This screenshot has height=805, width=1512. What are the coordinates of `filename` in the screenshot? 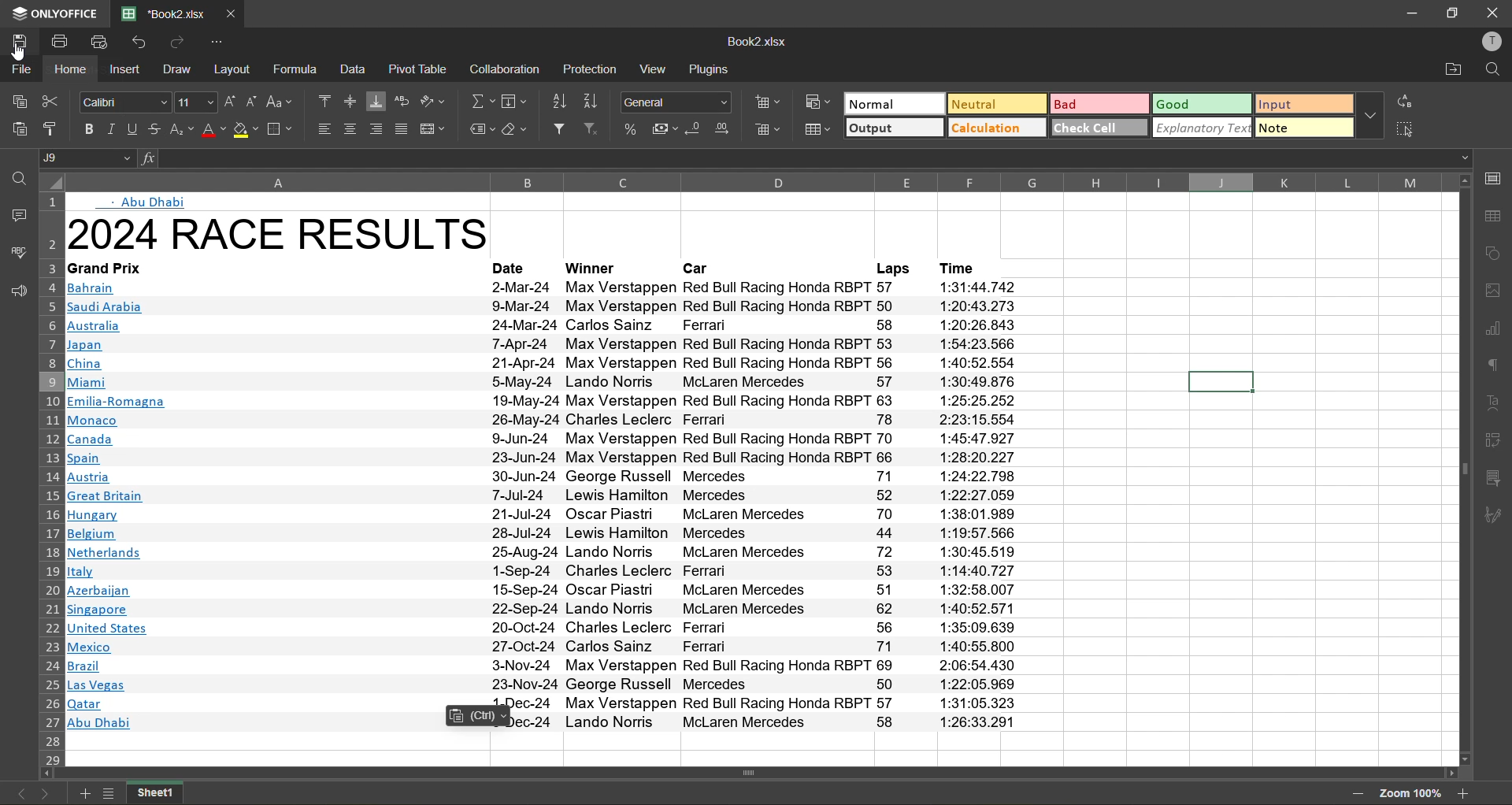 It's located at (754, 40).